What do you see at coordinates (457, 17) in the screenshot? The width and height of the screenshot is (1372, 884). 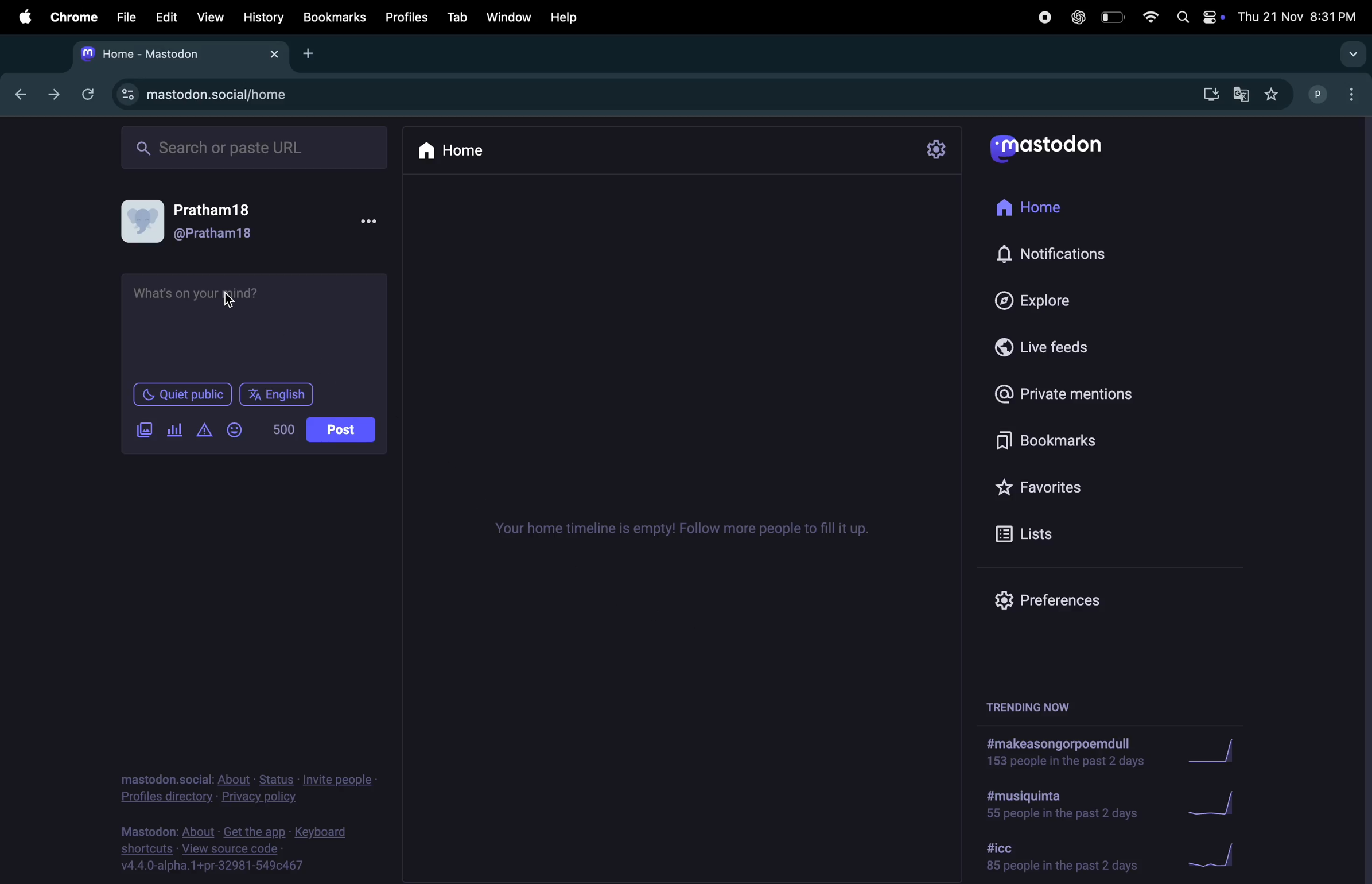 I see `tab` at bounding box center [457, 17].